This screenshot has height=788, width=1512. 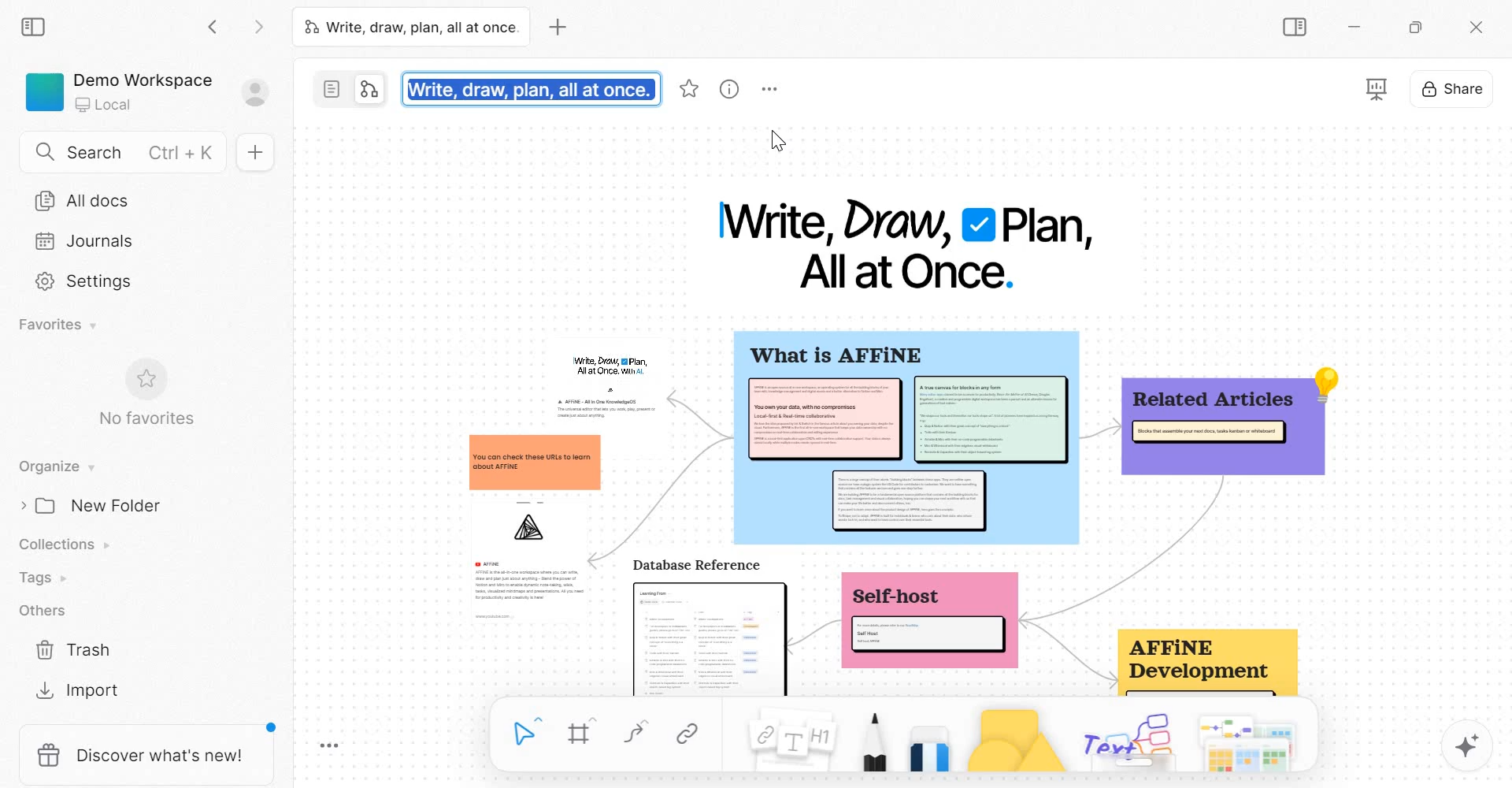 I want to click on Demo Workspace, so click(x=154, y=91).